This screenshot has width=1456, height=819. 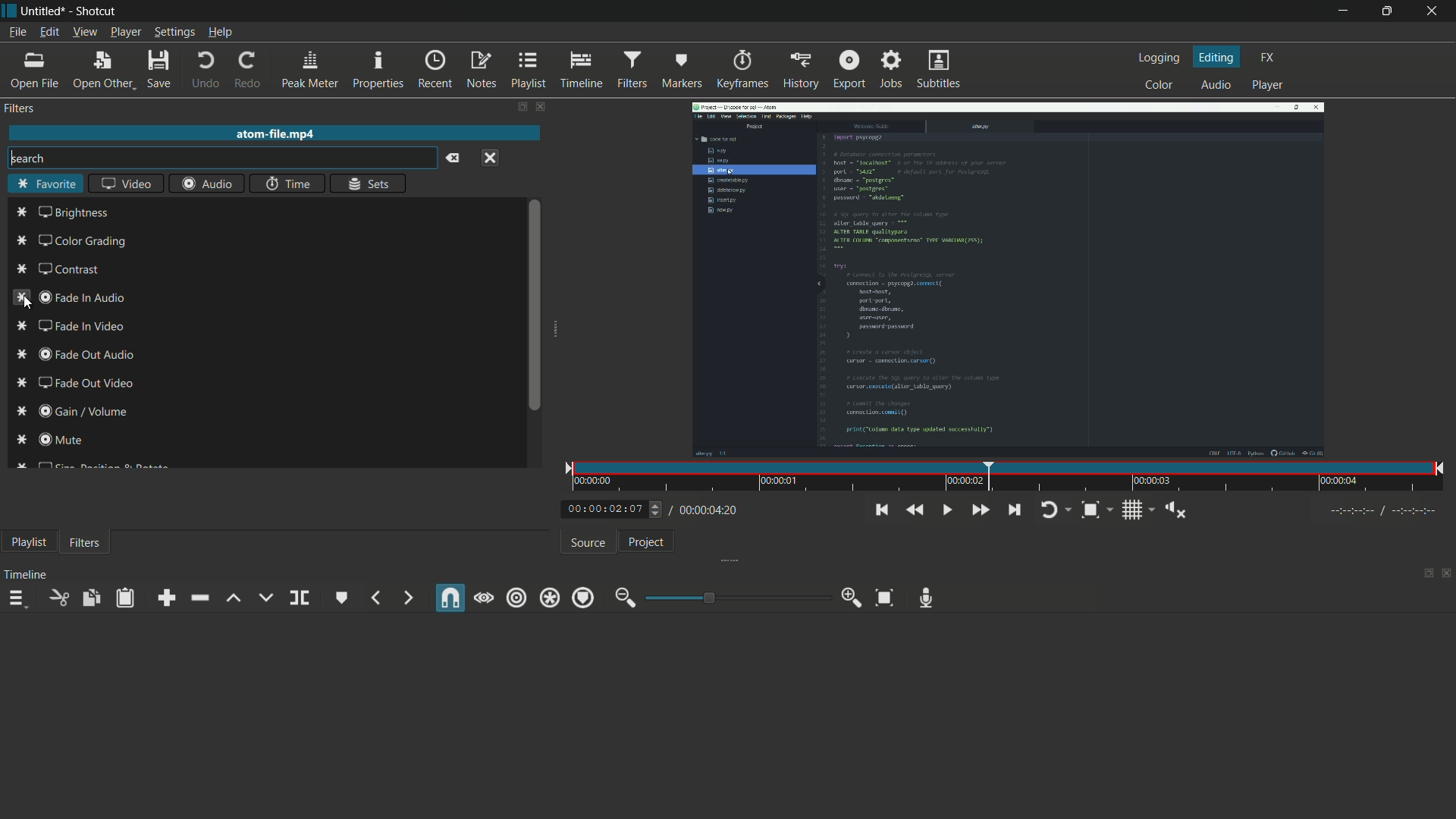 I want to click on file name, so click(x=277, y=133).